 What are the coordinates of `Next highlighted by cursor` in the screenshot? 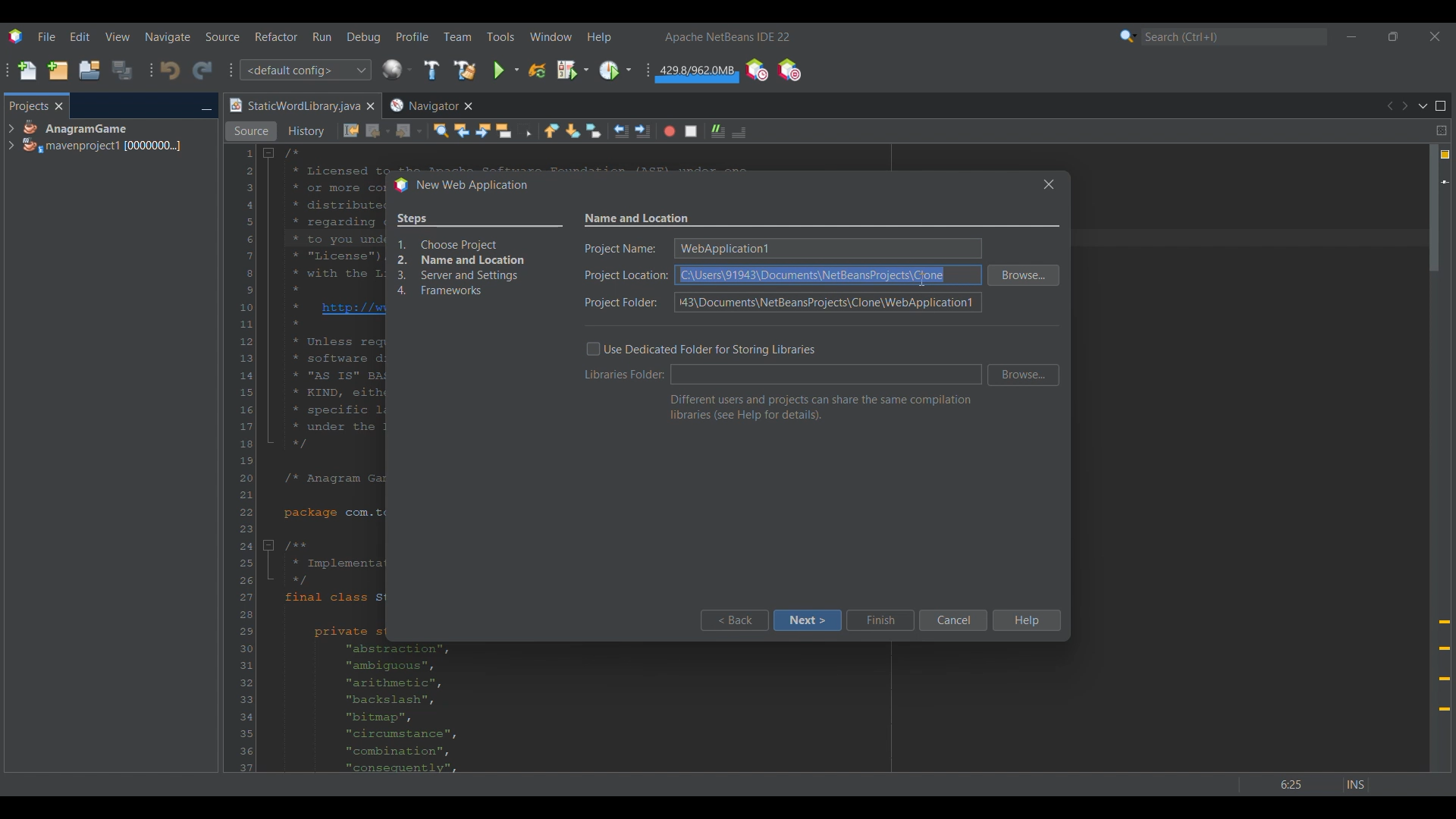 It's located at (807, 620).